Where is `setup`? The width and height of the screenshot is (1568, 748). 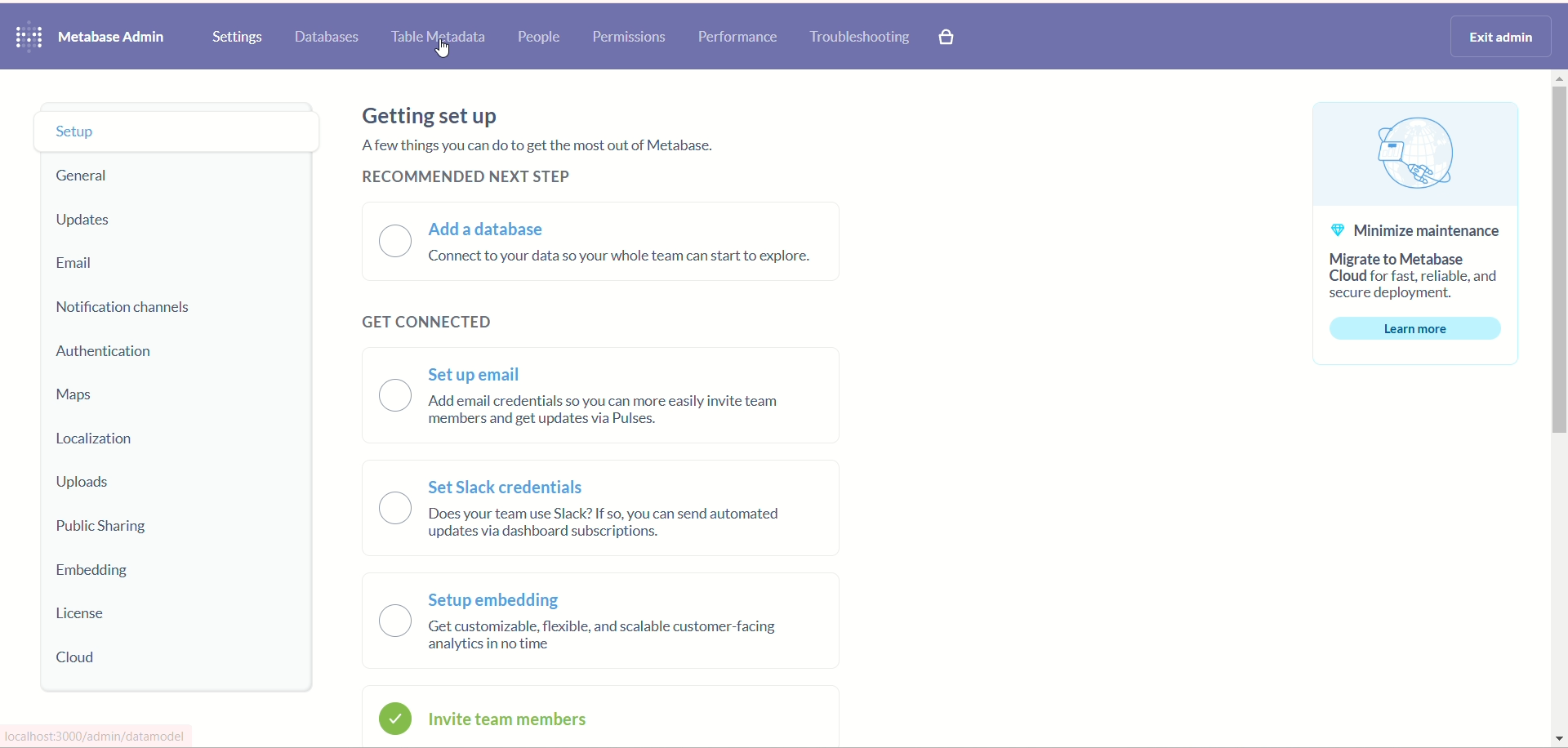
setup is located at coordinates (180, 128).